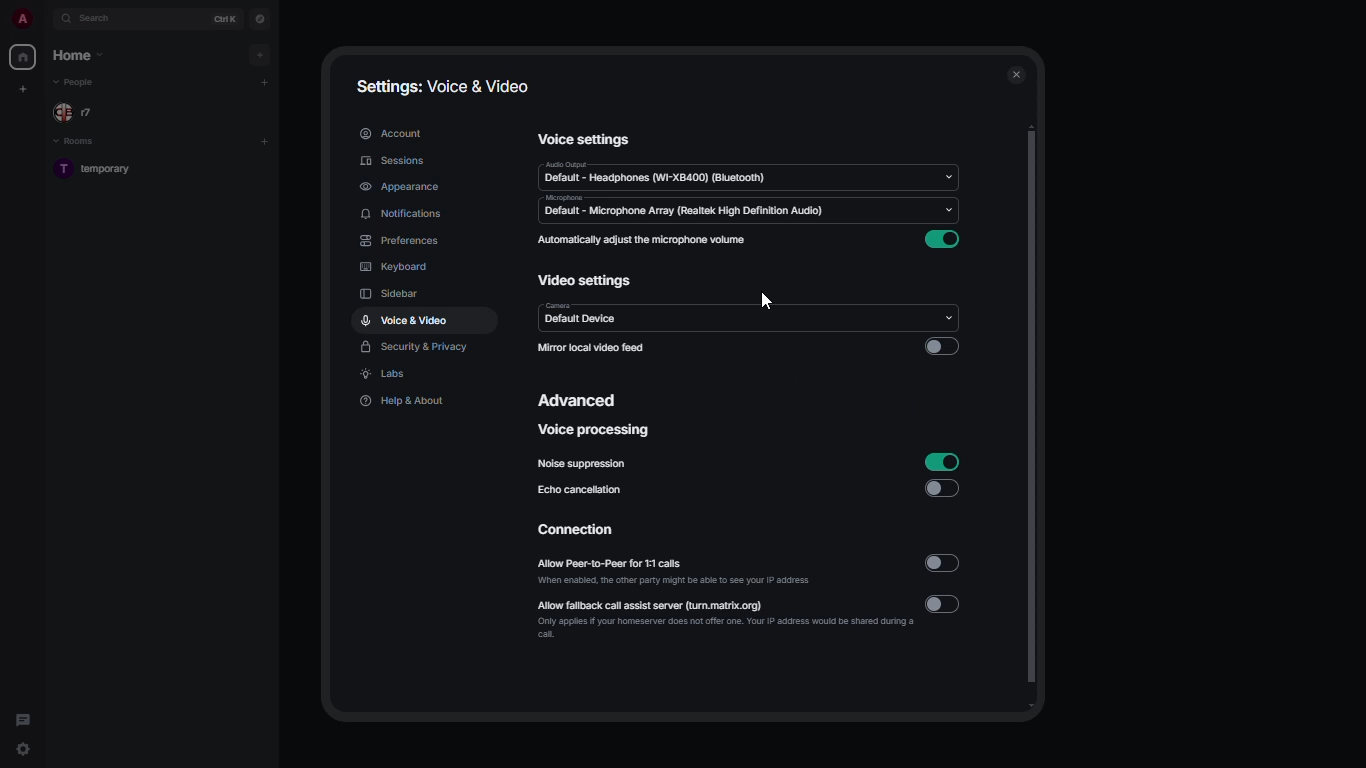  Describe the element at coordinates (416, 348) in the screenshot. I see `security & privacy` at that location.